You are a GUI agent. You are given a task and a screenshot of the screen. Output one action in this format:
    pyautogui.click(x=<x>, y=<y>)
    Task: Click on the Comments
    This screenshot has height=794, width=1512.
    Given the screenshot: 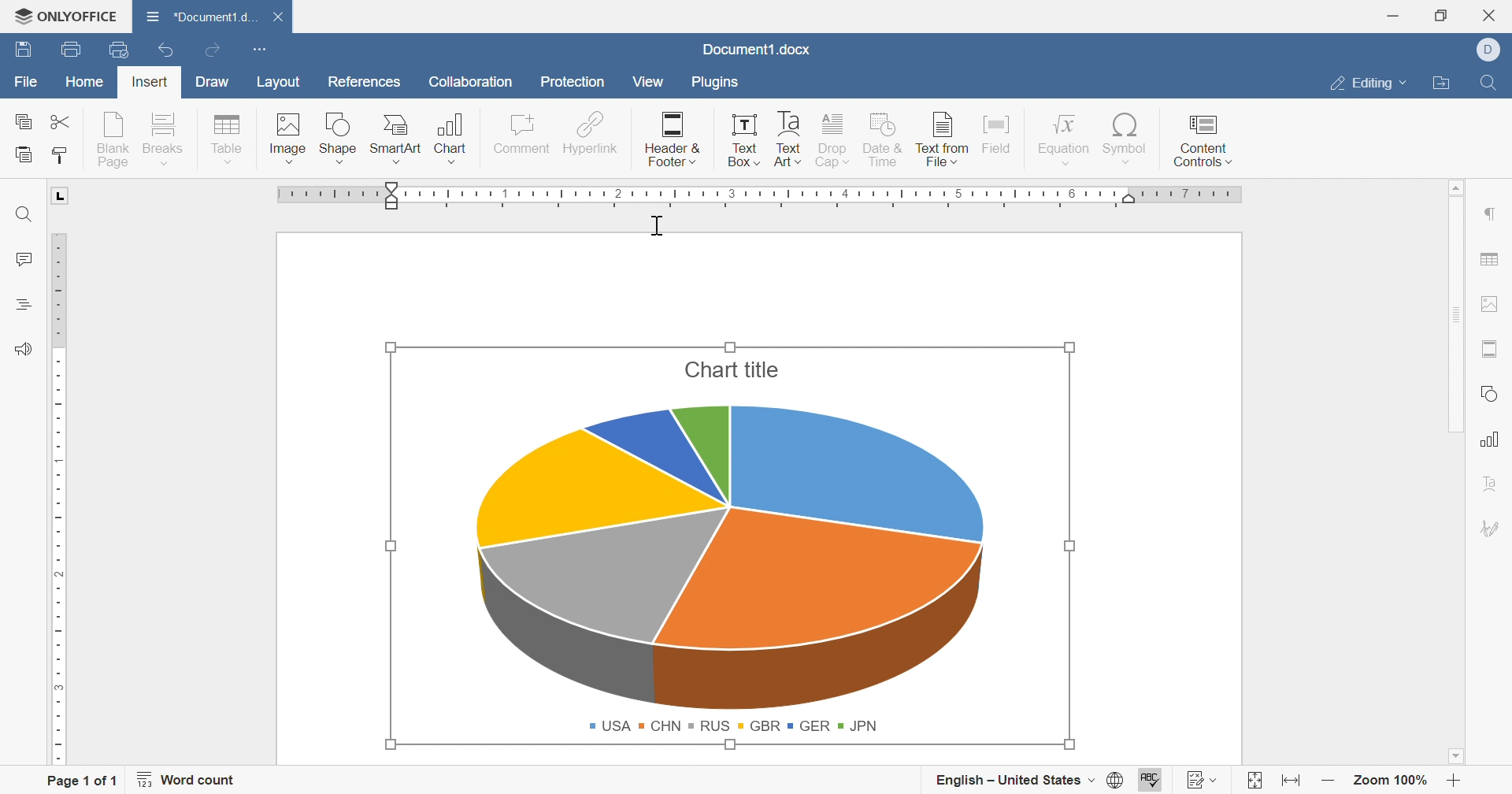 What is the action you would take?
    pyautogui.click(x=23, y=261)
    